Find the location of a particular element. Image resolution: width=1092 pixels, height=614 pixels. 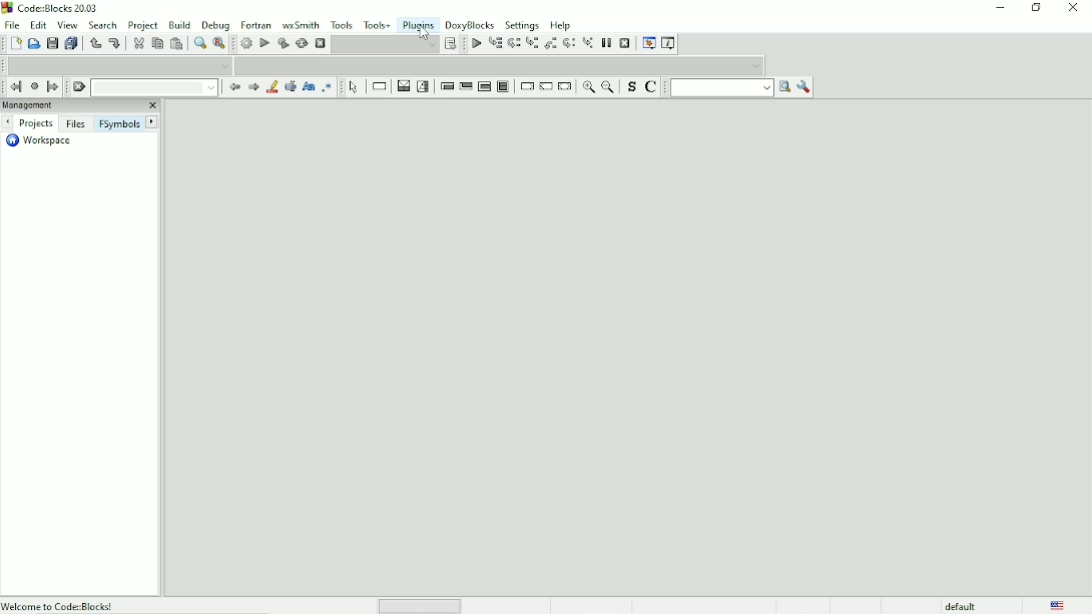

 is located at coordinates (494, 43).